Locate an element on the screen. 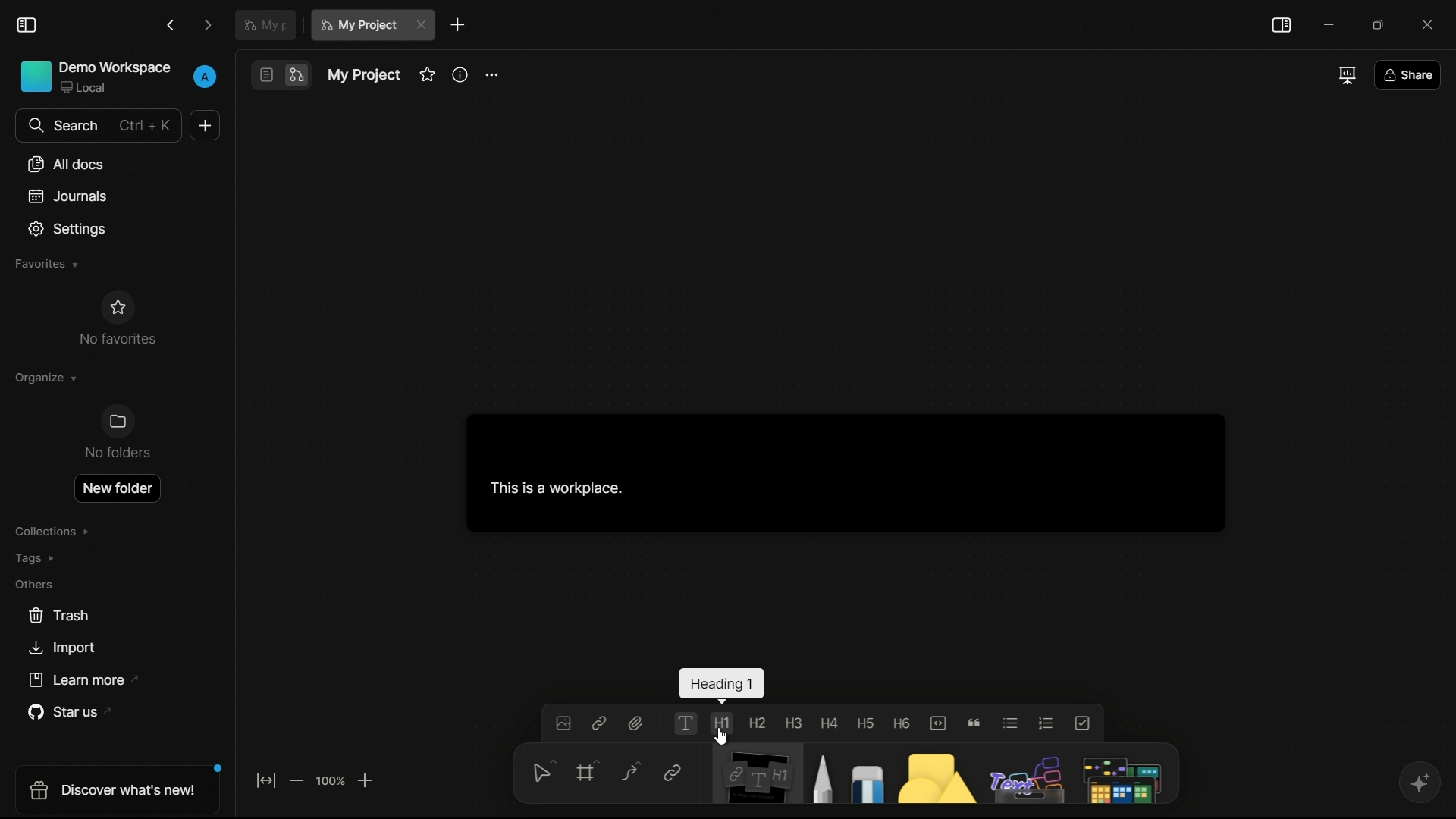 The width and height of the screenshot is (1456, 819). learn more is located at coordinates (77, 681).